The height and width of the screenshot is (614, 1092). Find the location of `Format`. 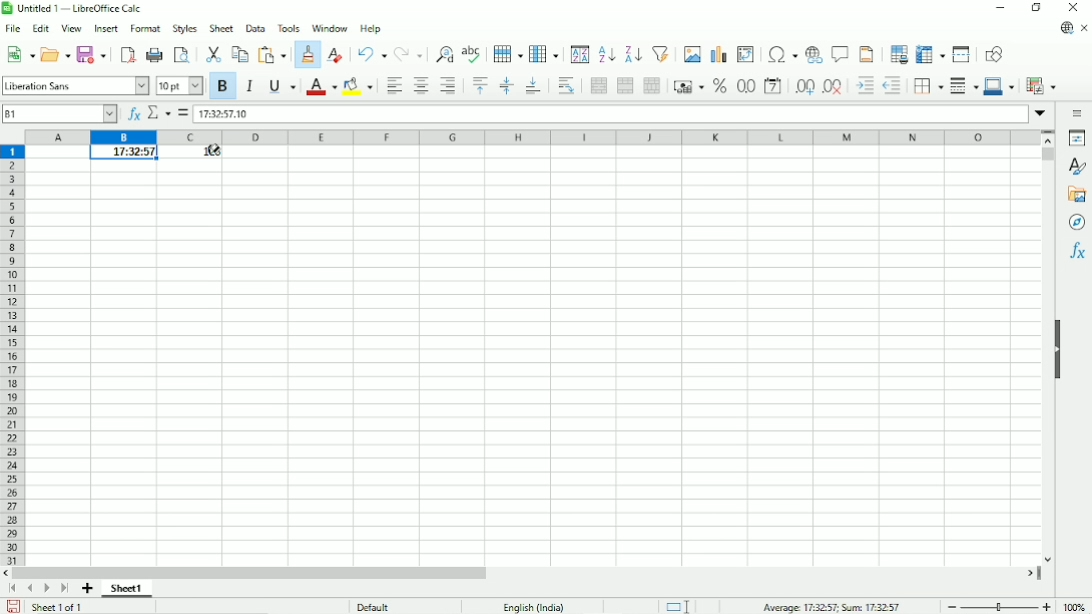

Format is located at coordinates (144, 30).